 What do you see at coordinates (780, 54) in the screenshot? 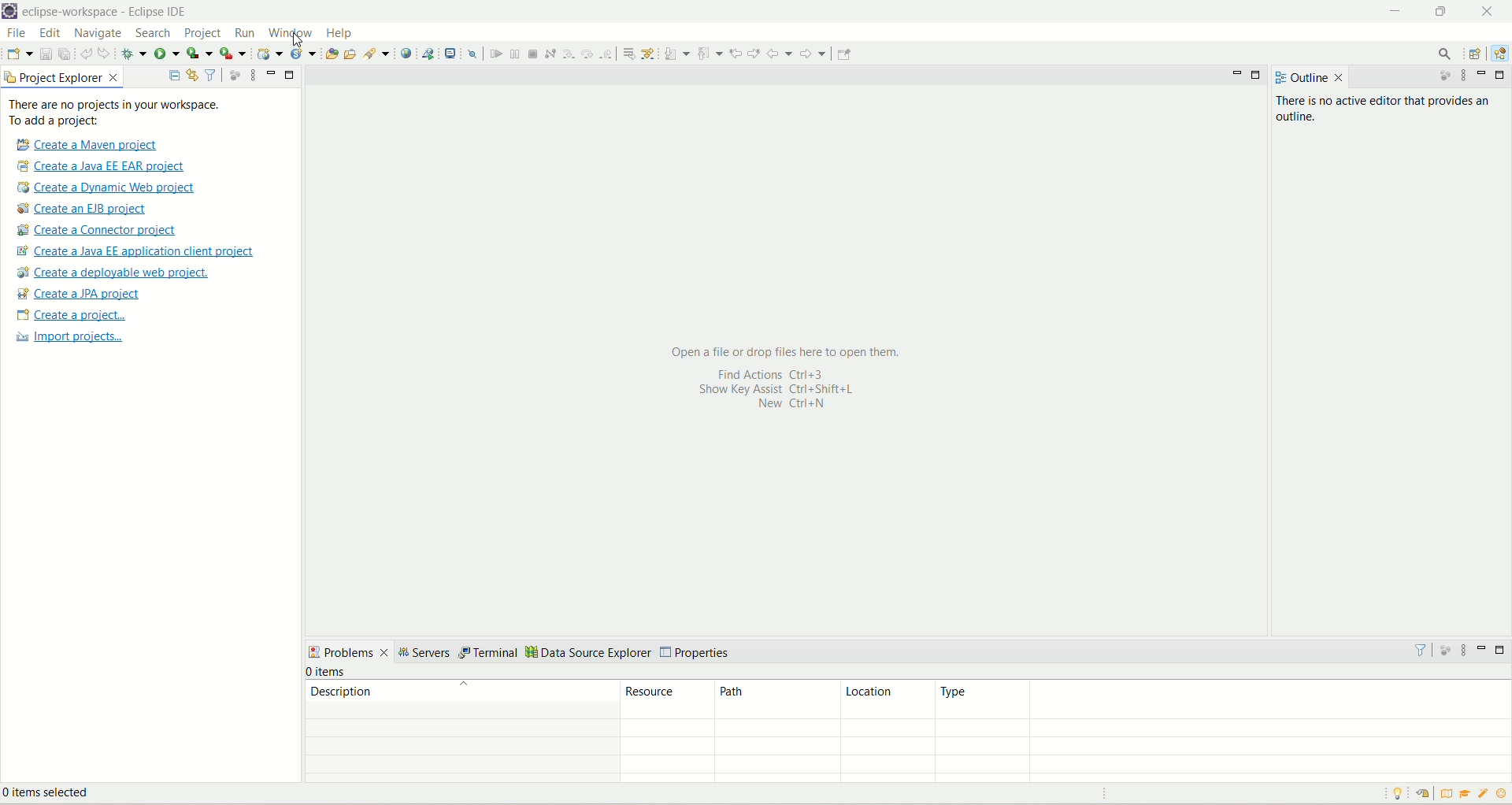
I see `back` at bounding box center [780, 54].